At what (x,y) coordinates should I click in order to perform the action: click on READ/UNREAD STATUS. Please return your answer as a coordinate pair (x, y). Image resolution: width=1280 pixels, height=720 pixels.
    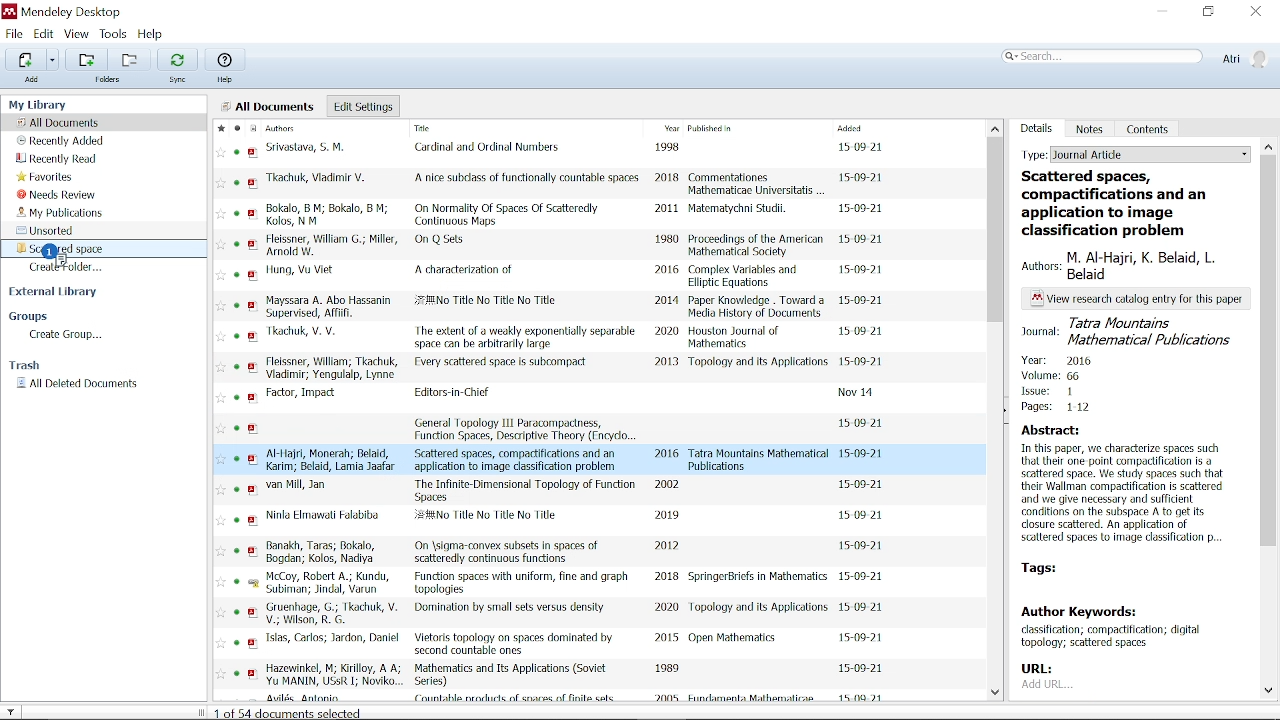
    Looking at the image, I should click on (237, 416).